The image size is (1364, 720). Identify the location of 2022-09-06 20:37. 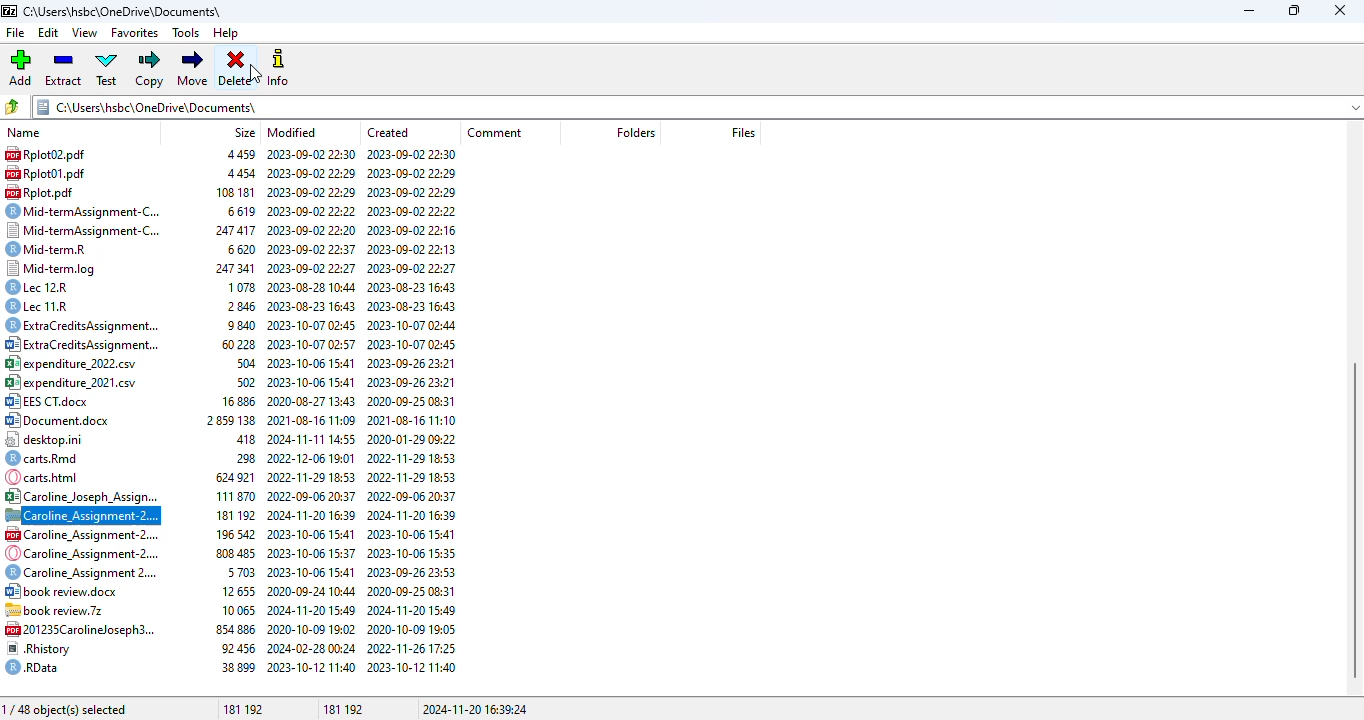
(411, 495).